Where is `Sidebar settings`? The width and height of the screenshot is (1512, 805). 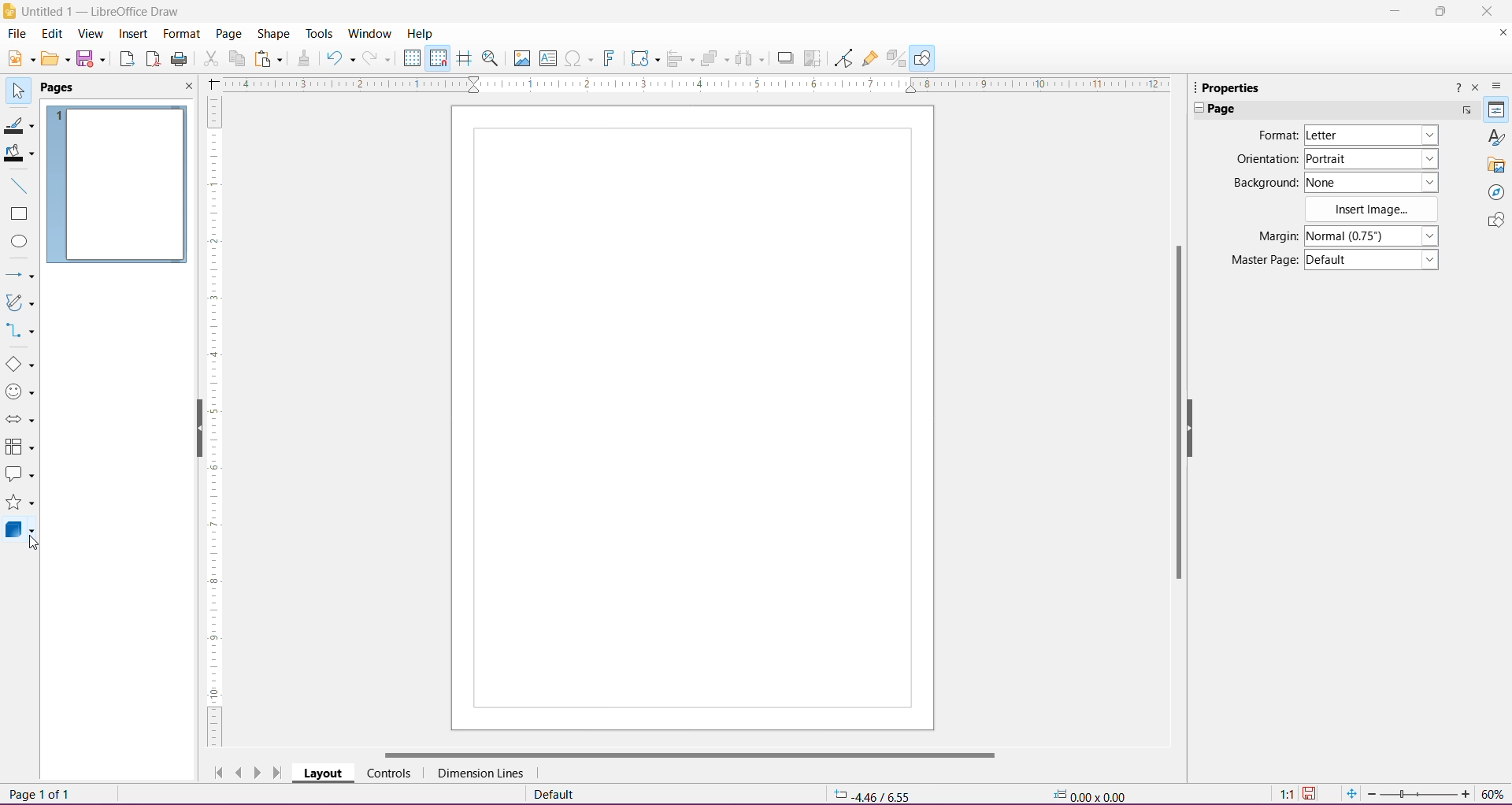 Sidebar settings is located at coordinates (1499, 86).